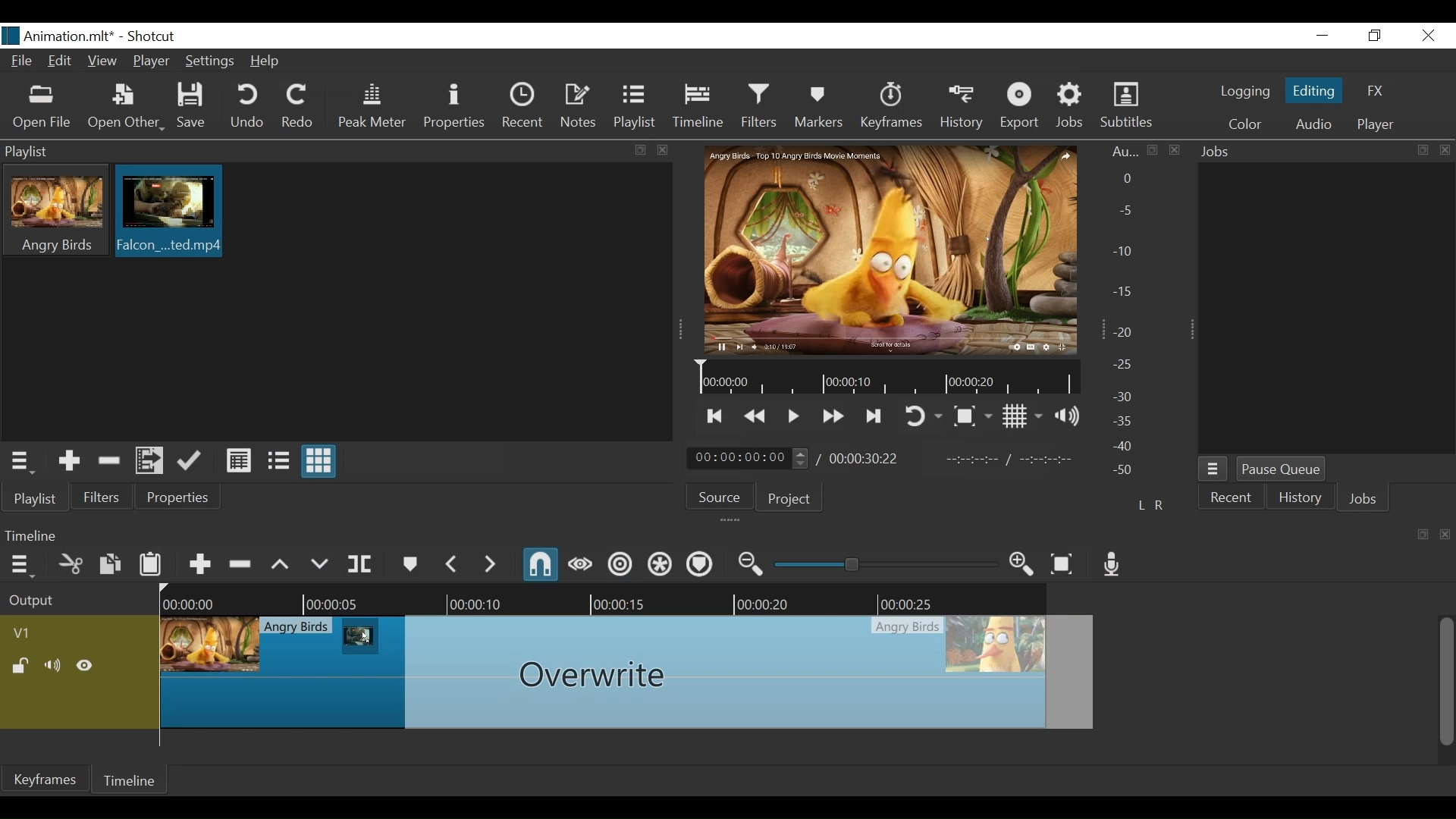 This screenshot has width=1456, height=819. I want to click on Toggle display grid on player, so click(1022, 417).